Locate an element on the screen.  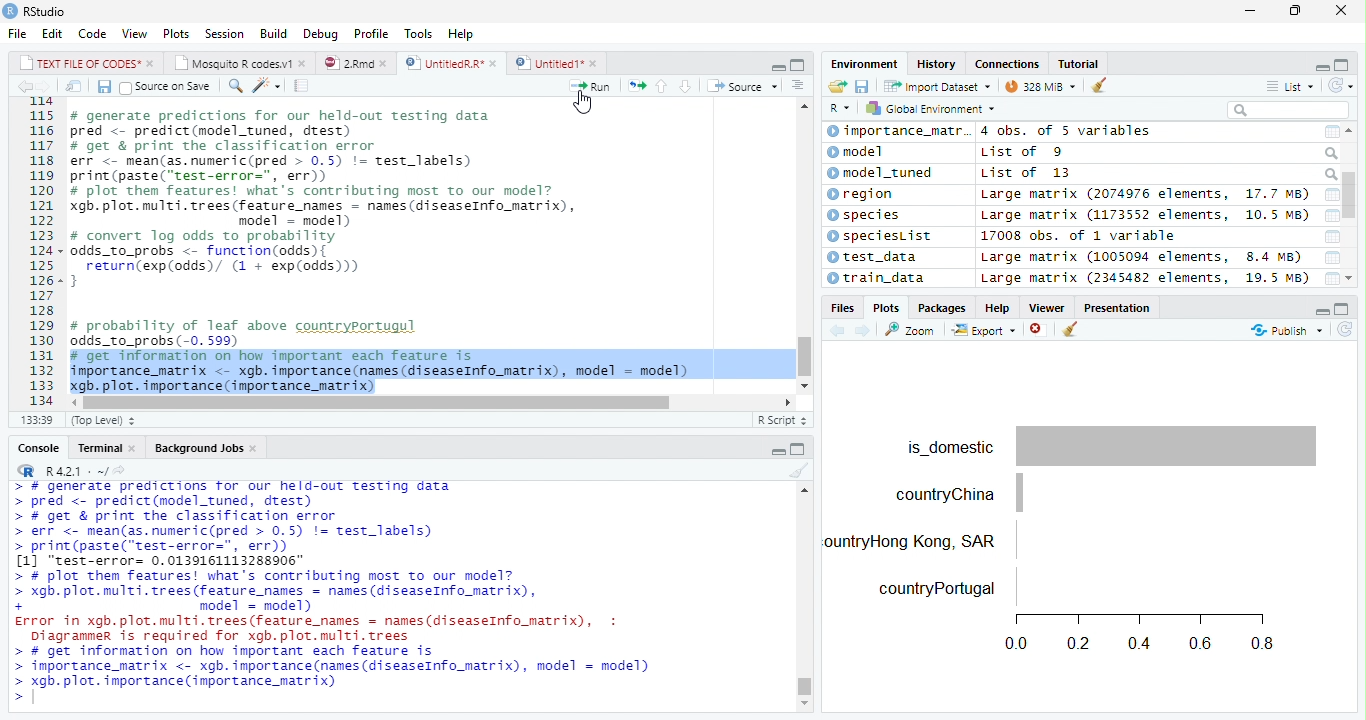
Scroll is located at coordinates (805, 245).